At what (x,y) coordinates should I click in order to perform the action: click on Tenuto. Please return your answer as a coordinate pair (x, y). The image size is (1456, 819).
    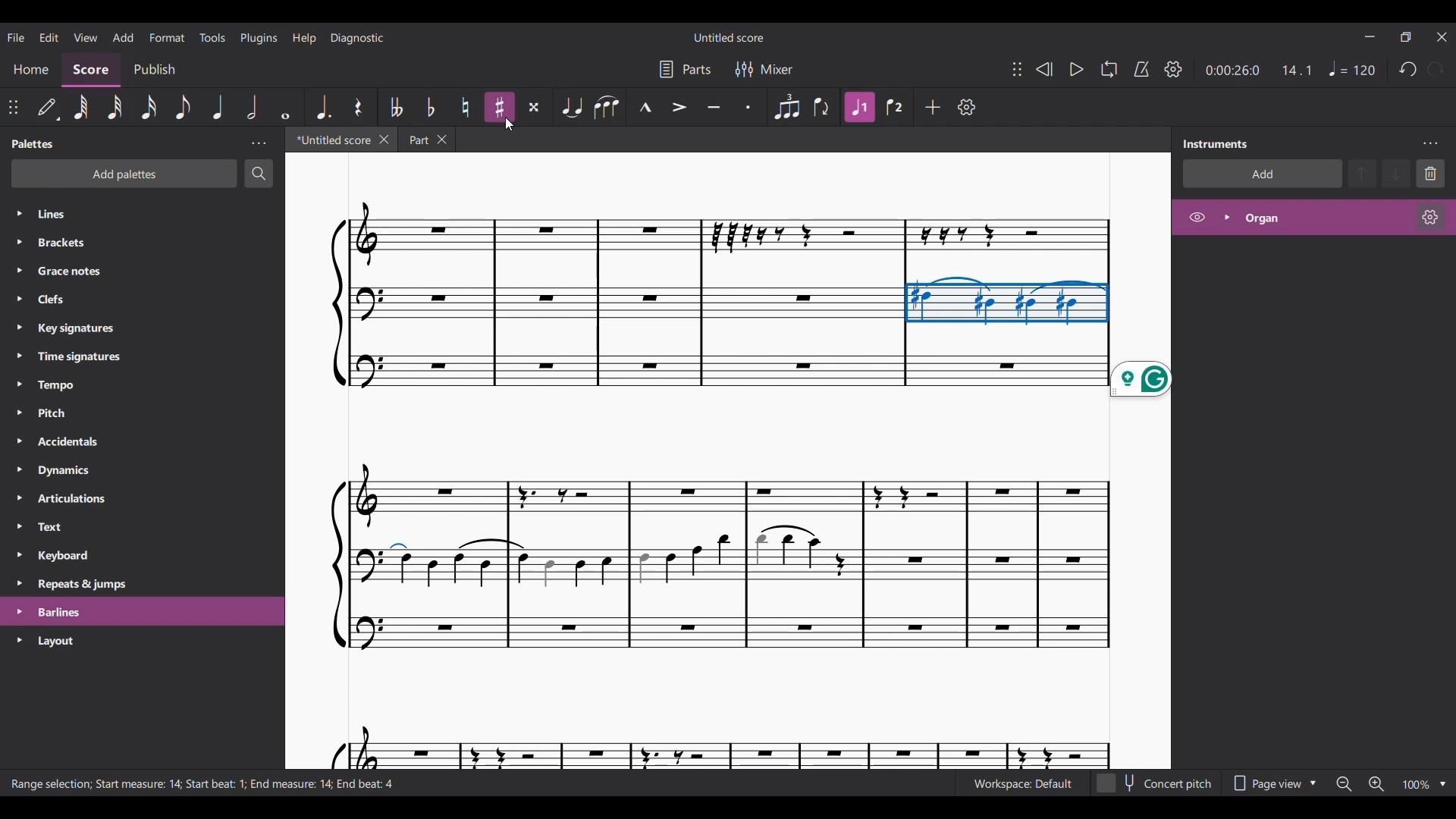
    Looking at the image, I should click on (714, 107).